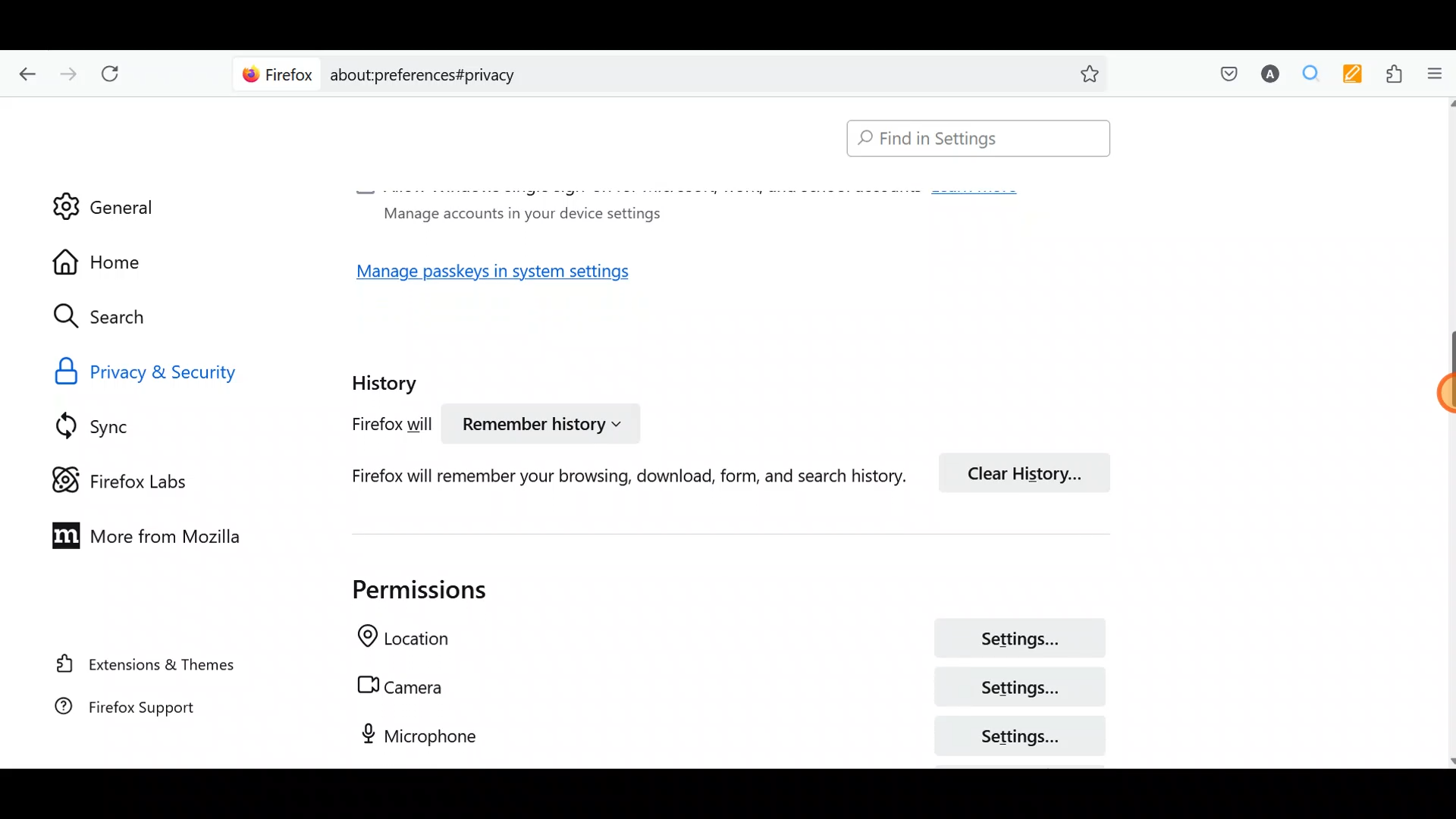  Describe the element at coordinates (67, 70) in the screenshot. I see `Go forward one page` at that location.